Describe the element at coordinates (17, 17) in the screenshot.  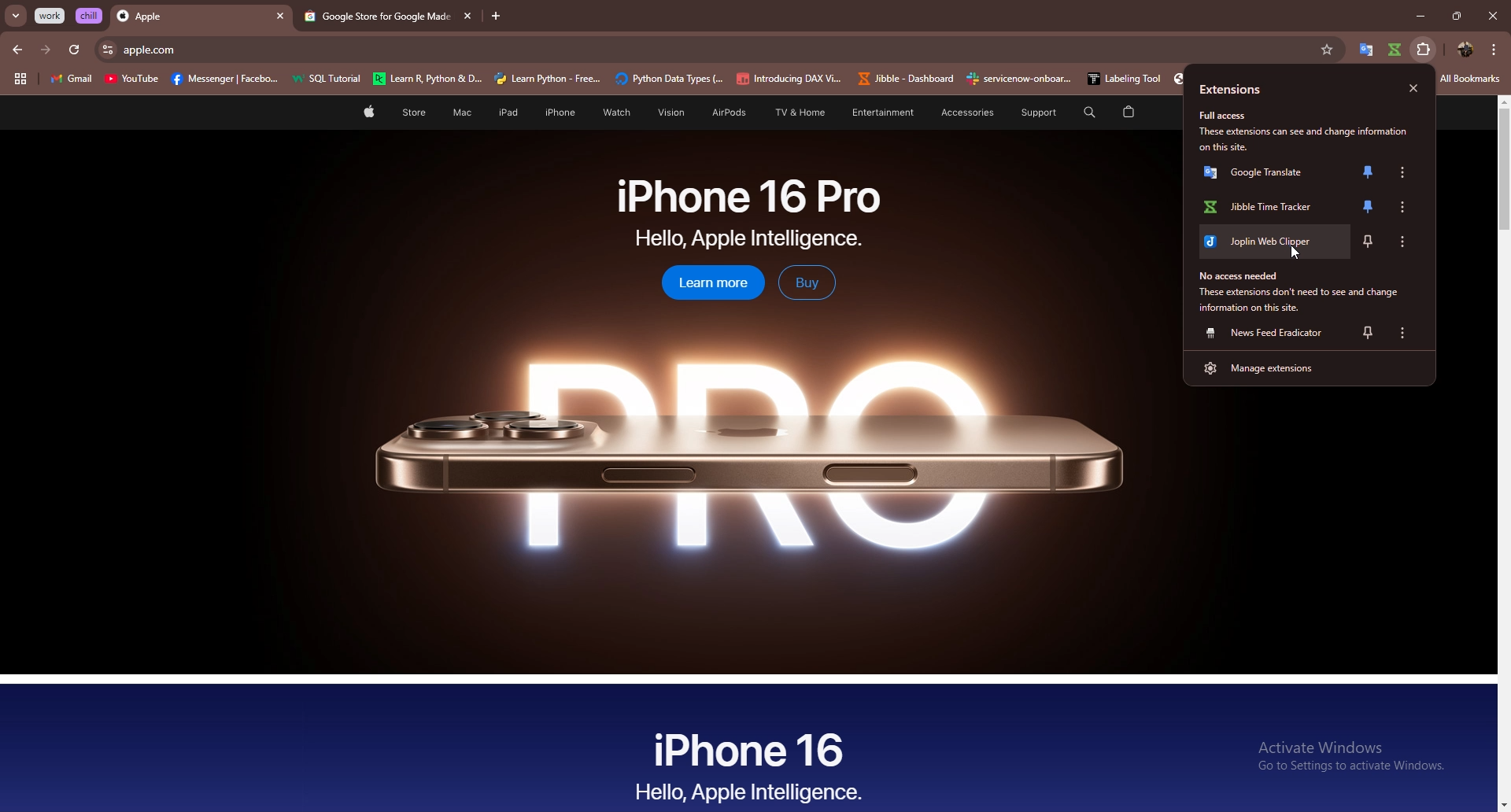
I see `search tabs` at that location.